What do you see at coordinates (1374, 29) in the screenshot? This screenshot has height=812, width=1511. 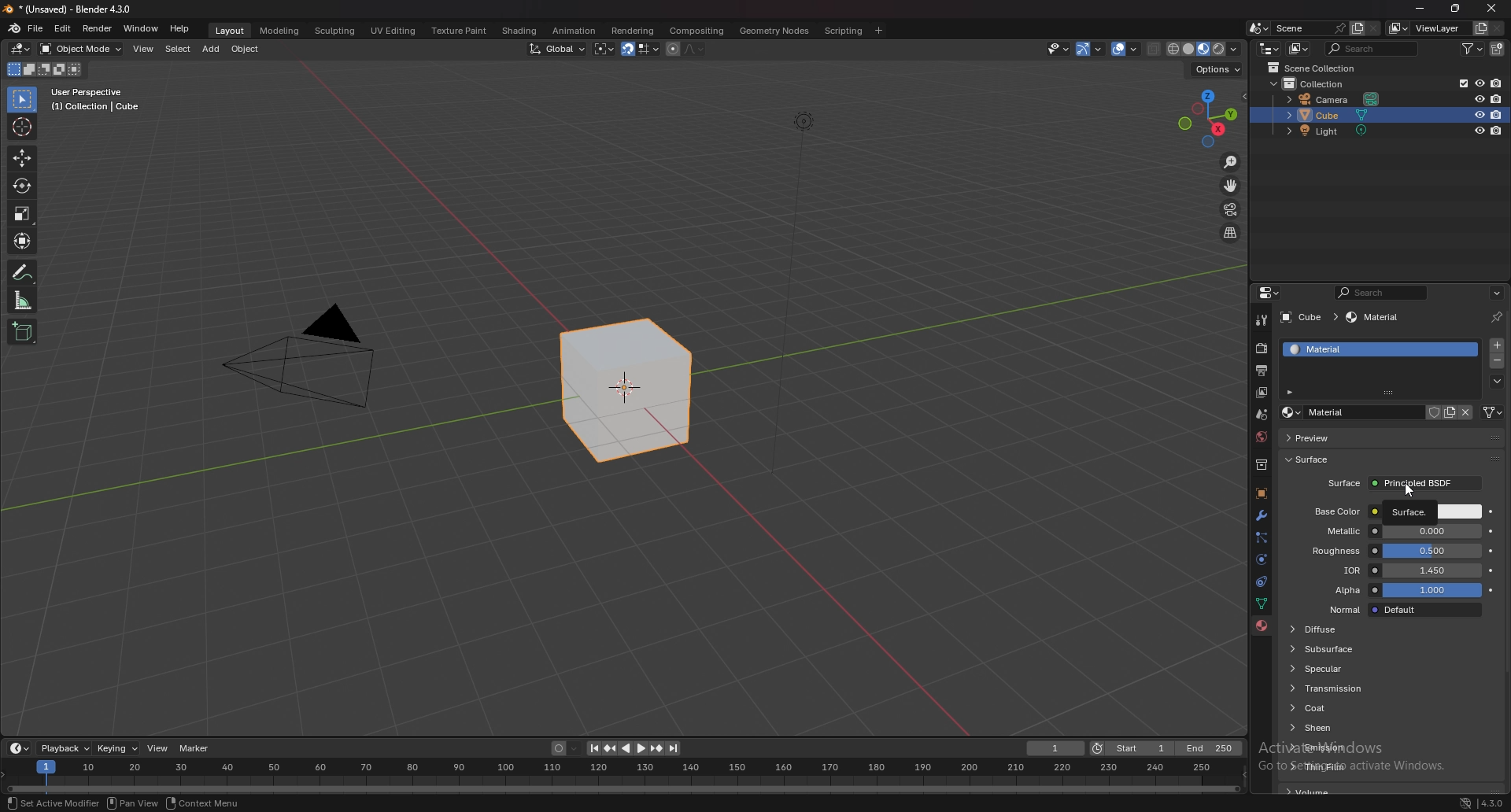 I see `delete scene` at bounding box center [1374, 29].